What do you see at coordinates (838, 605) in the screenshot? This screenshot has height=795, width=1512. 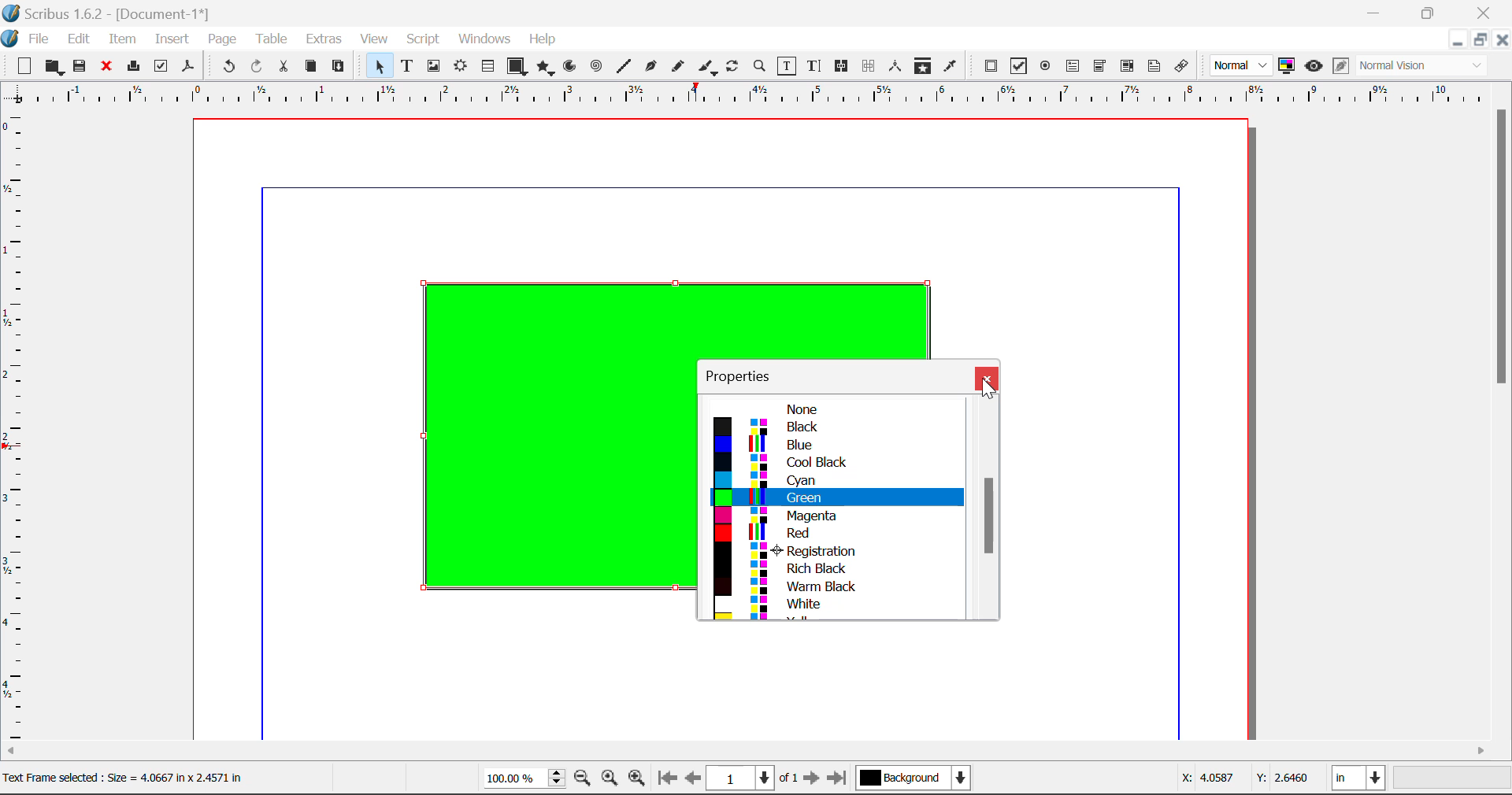 I see `White` at bounding box center [838, 605].